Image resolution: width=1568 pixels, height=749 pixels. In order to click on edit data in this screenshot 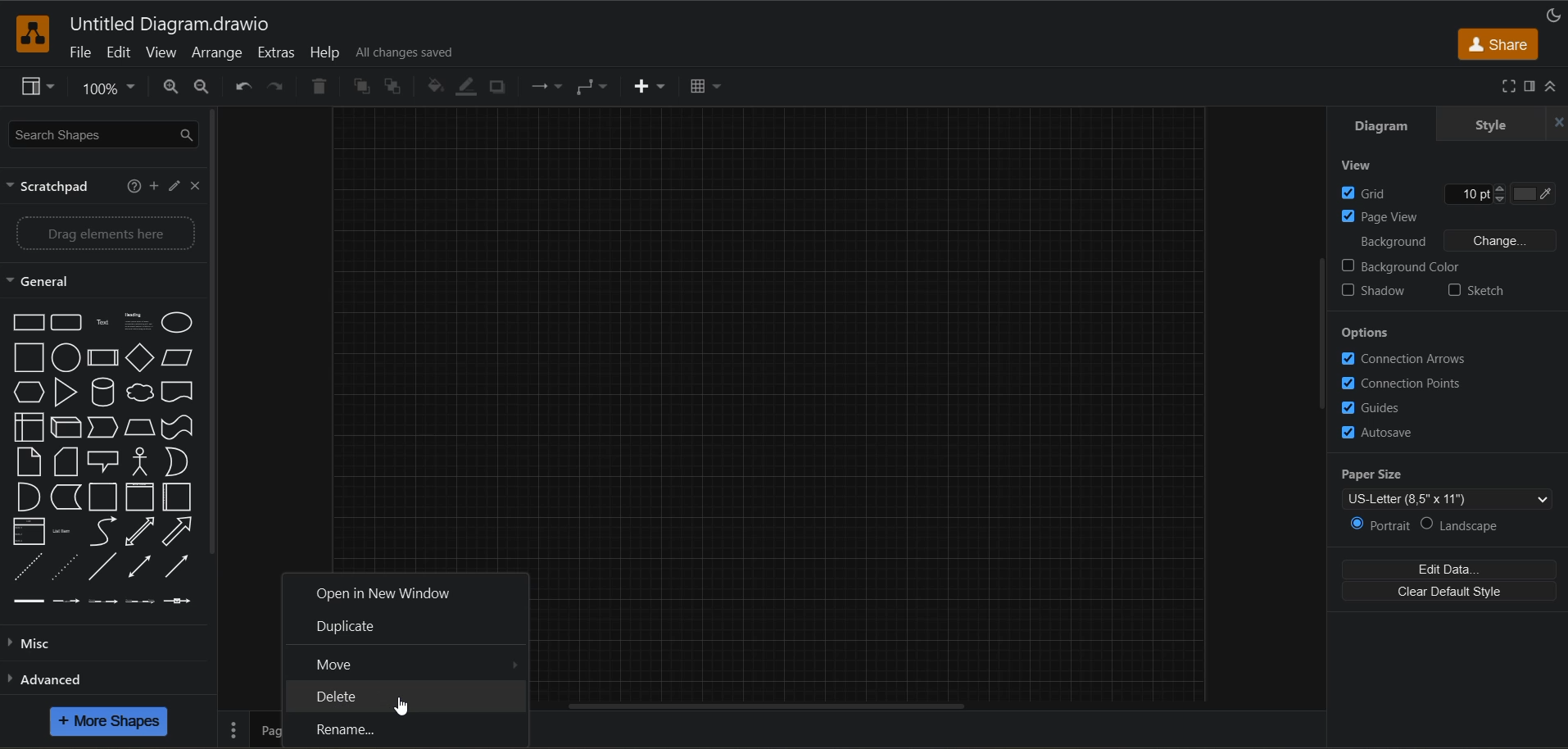, I will do `click(1452, 570)`.